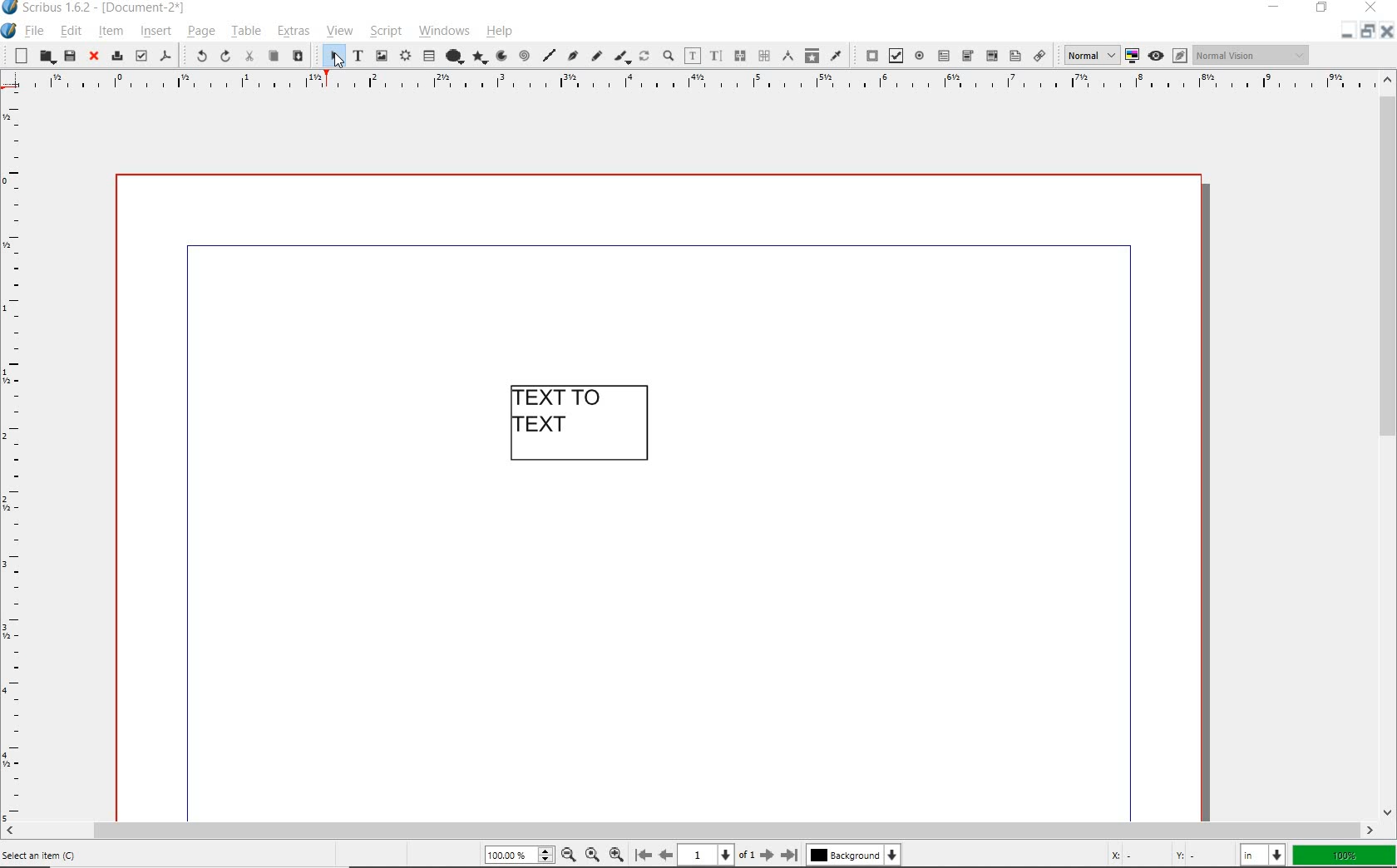 The width and height of the screenshot is (1397, 868). I want to click on page, so click(200, 33).